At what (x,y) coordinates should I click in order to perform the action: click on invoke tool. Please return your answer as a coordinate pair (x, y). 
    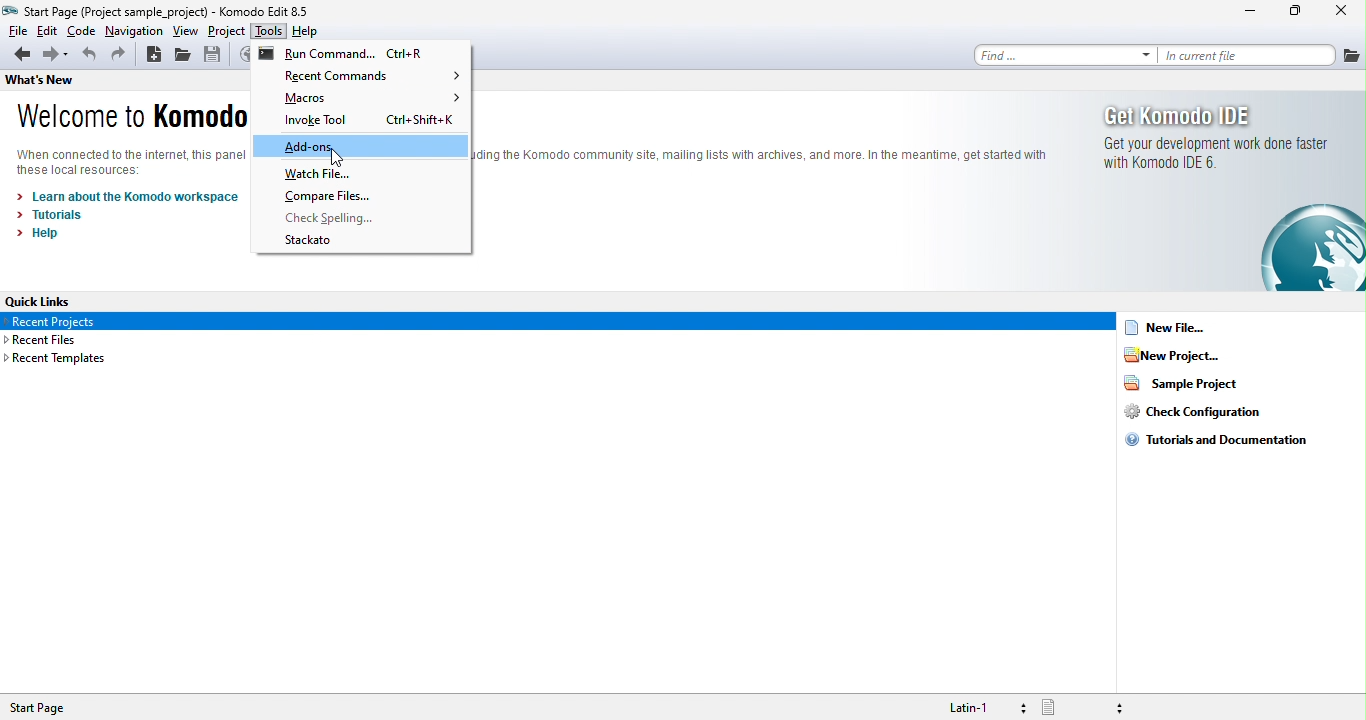
    Looking at the image, I should click on (365, 122).